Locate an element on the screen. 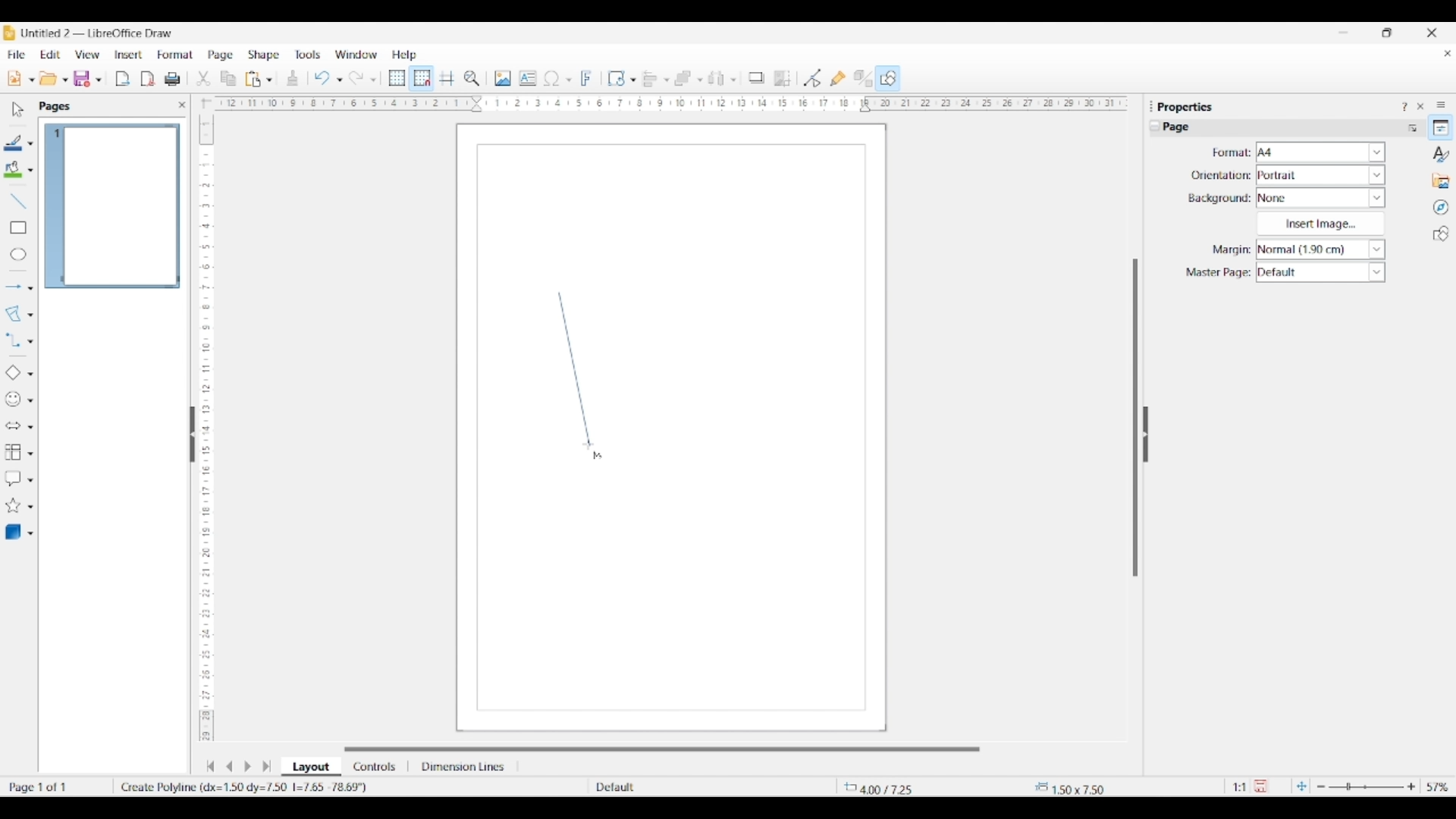 The height and width of the screenshot is (819, 1456). Undo last action done is located at coordinates (322, 77).